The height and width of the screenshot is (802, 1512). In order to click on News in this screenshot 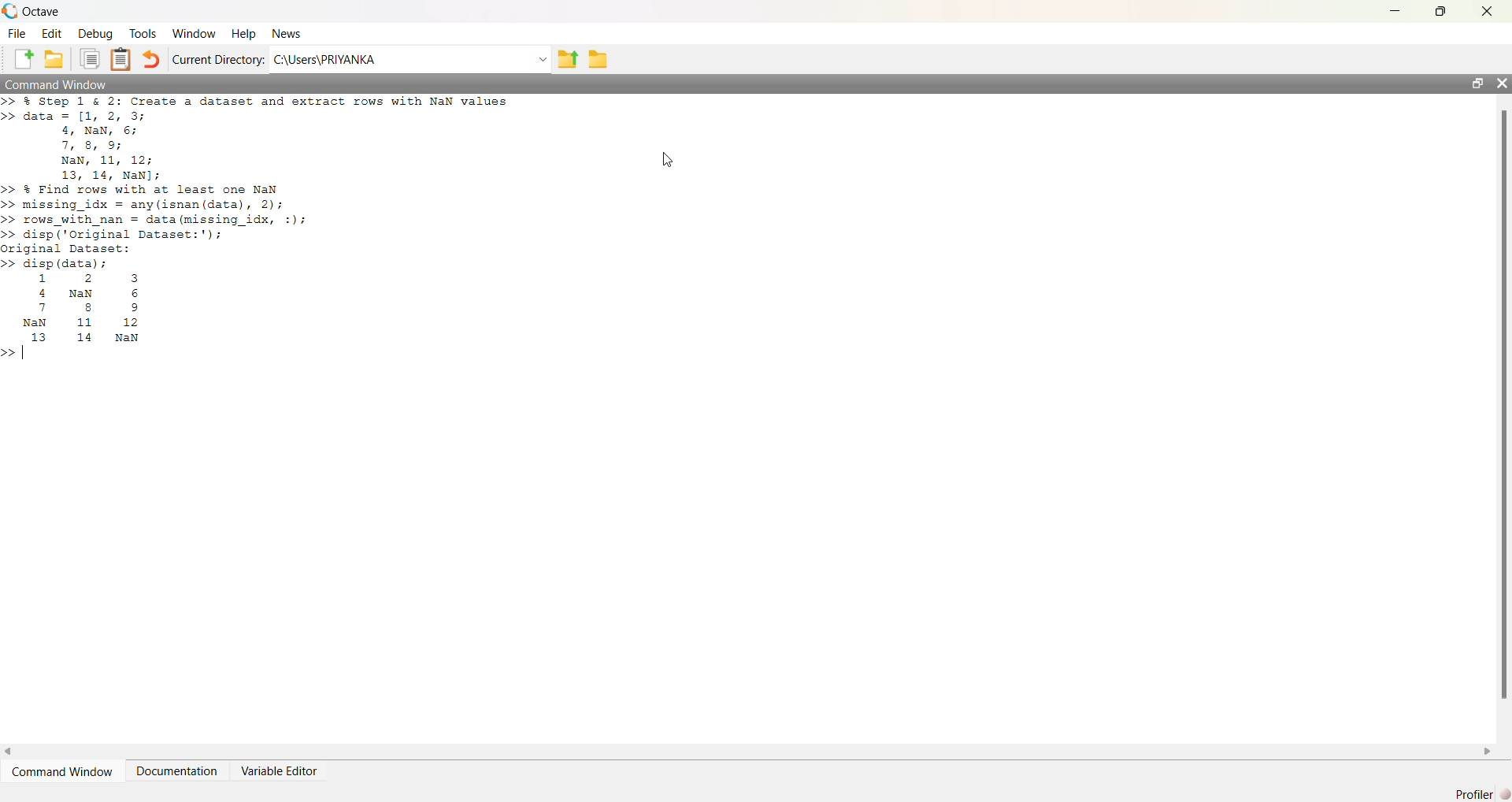, I will do `click(288, 33)`.